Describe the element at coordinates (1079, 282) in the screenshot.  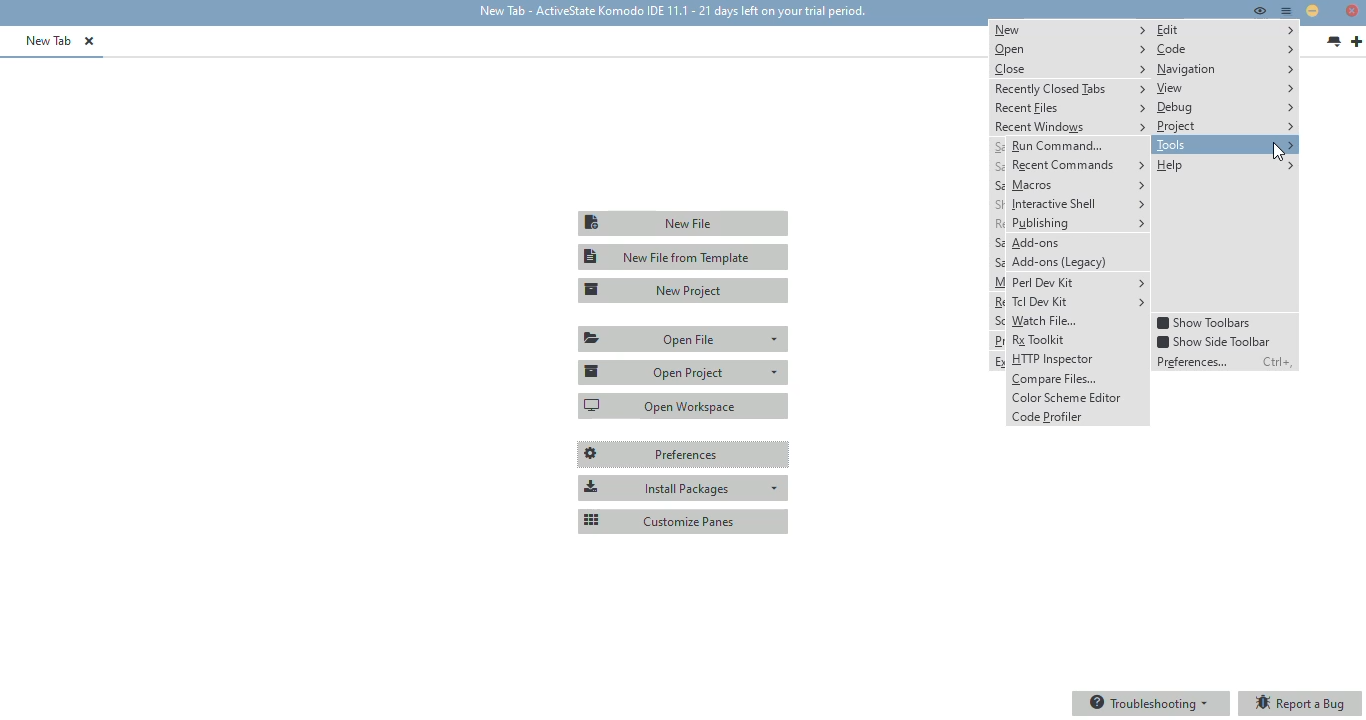
I see `Perl dev kit` at that location.